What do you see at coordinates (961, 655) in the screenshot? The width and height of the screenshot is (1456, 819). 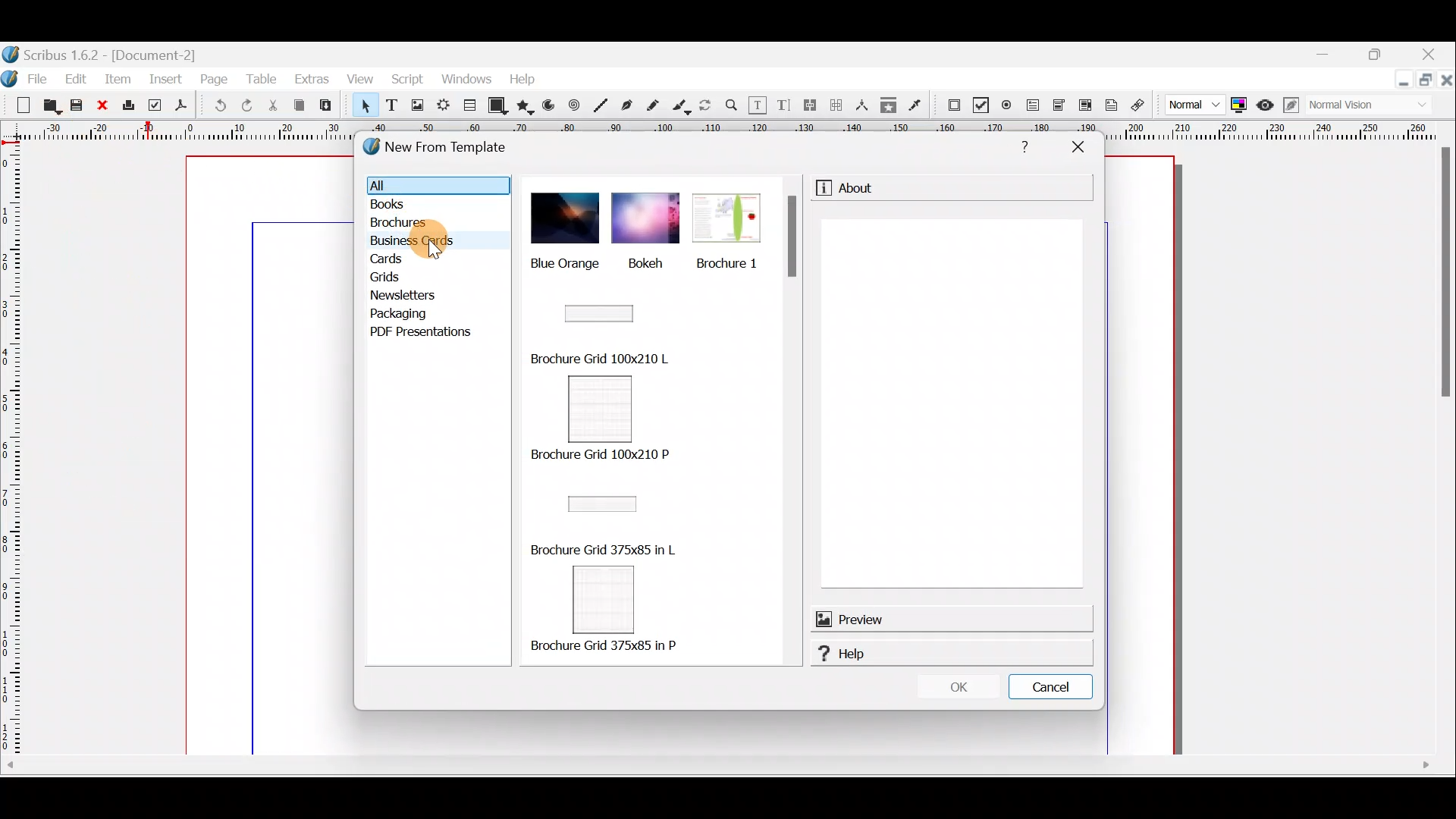 I see `Help` at bounding box center [961, 655].